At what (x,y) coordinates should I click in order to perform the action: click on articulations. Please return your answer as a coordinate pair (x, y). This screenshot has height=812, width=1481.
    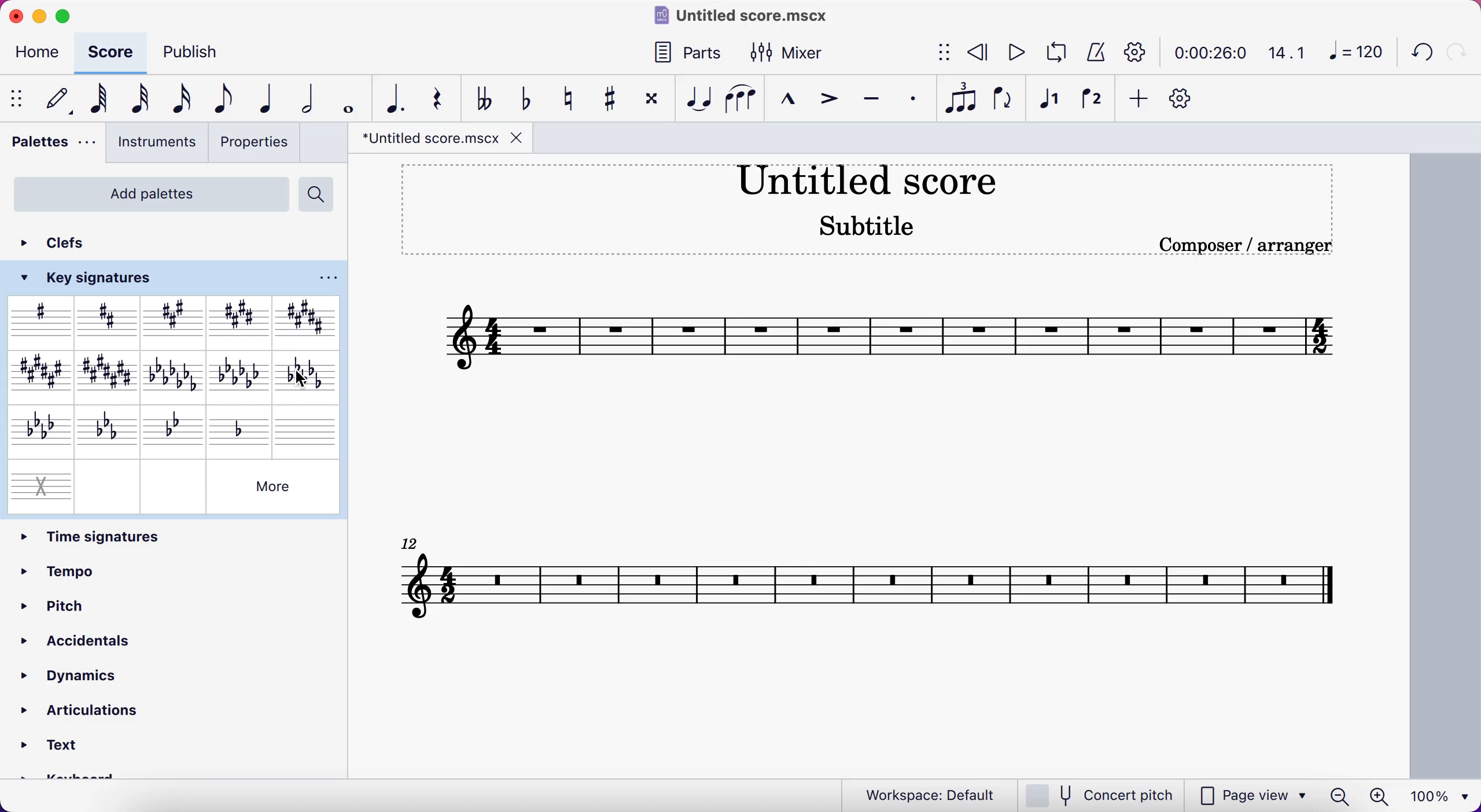
    Looking at the image, I should click on (82, 713).